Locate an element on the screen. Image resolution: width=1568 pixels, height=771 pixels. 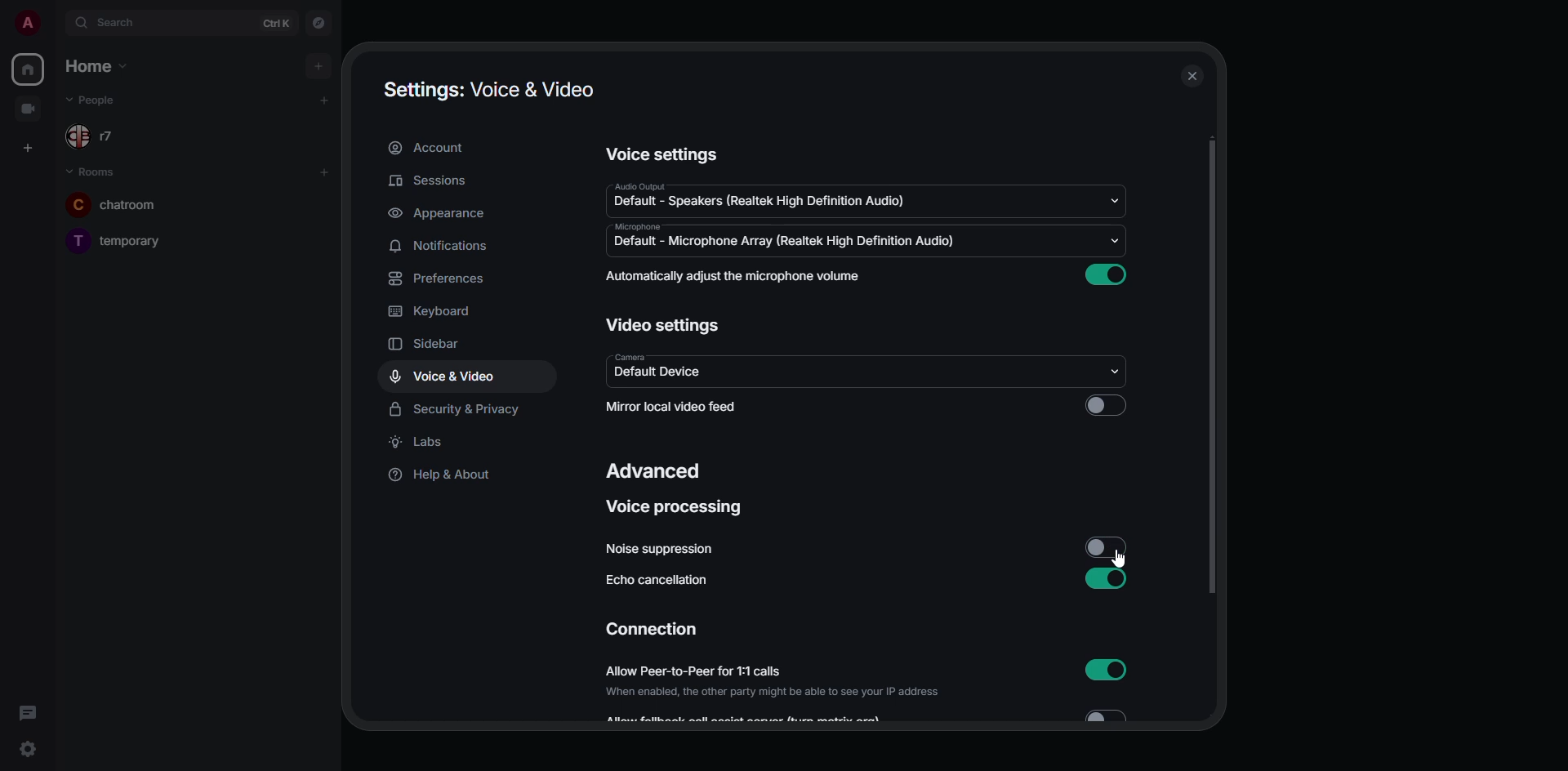
default is located at coordinates (653, 374).